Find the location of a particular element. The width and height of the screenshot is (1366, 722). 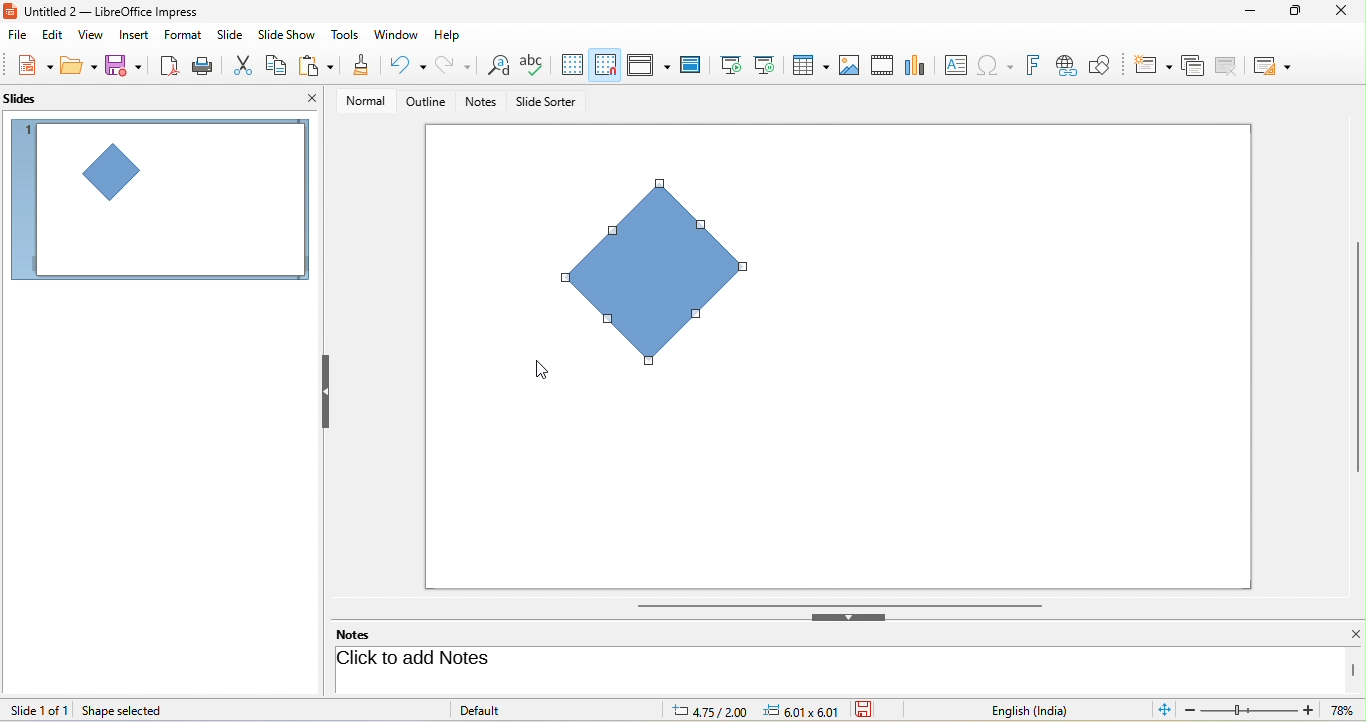

hyperlink is located at coordinates (1070, 66).